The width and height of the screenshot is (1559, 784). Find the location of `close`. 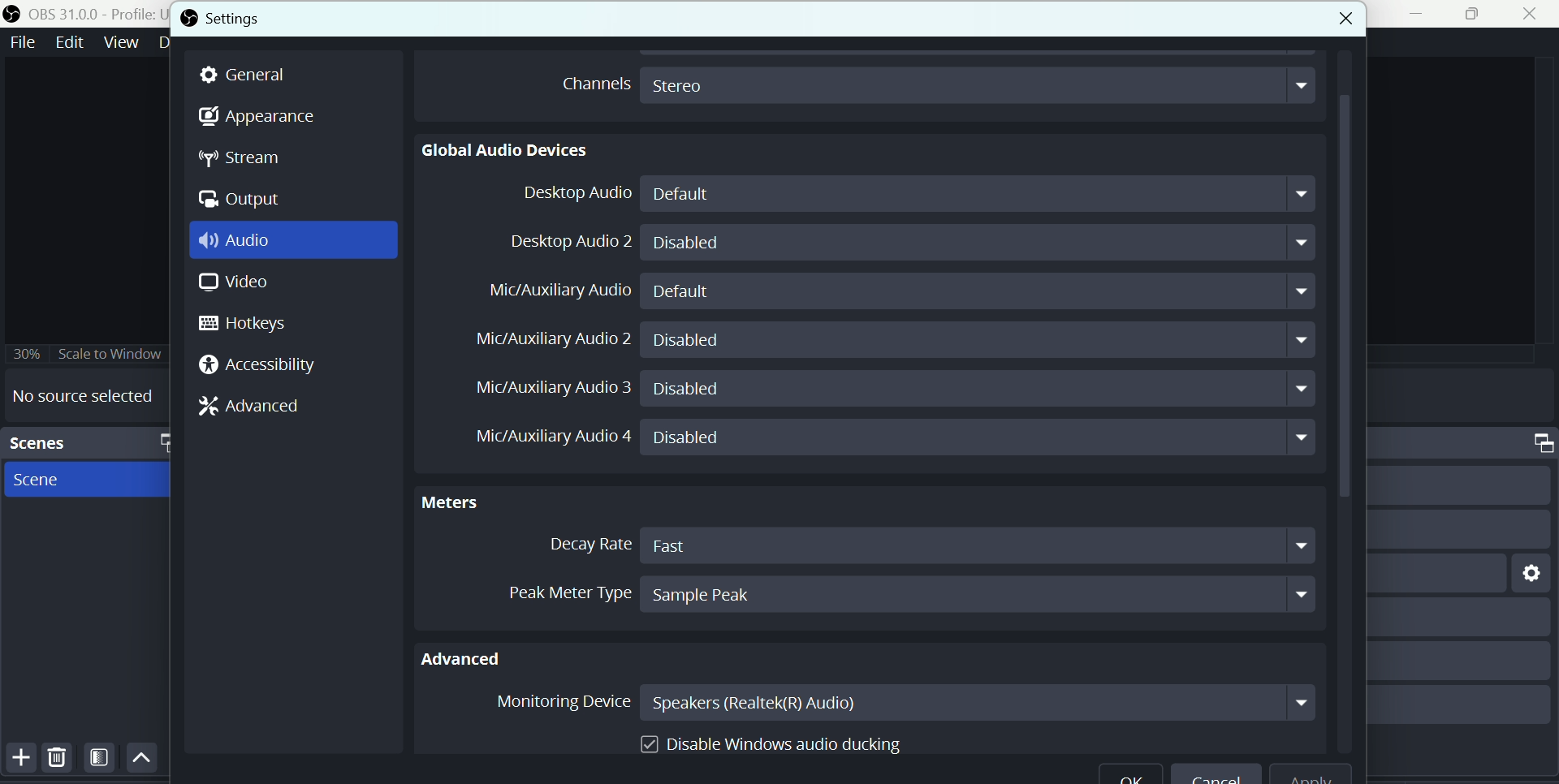

close is located at coordinates (1328, 15).